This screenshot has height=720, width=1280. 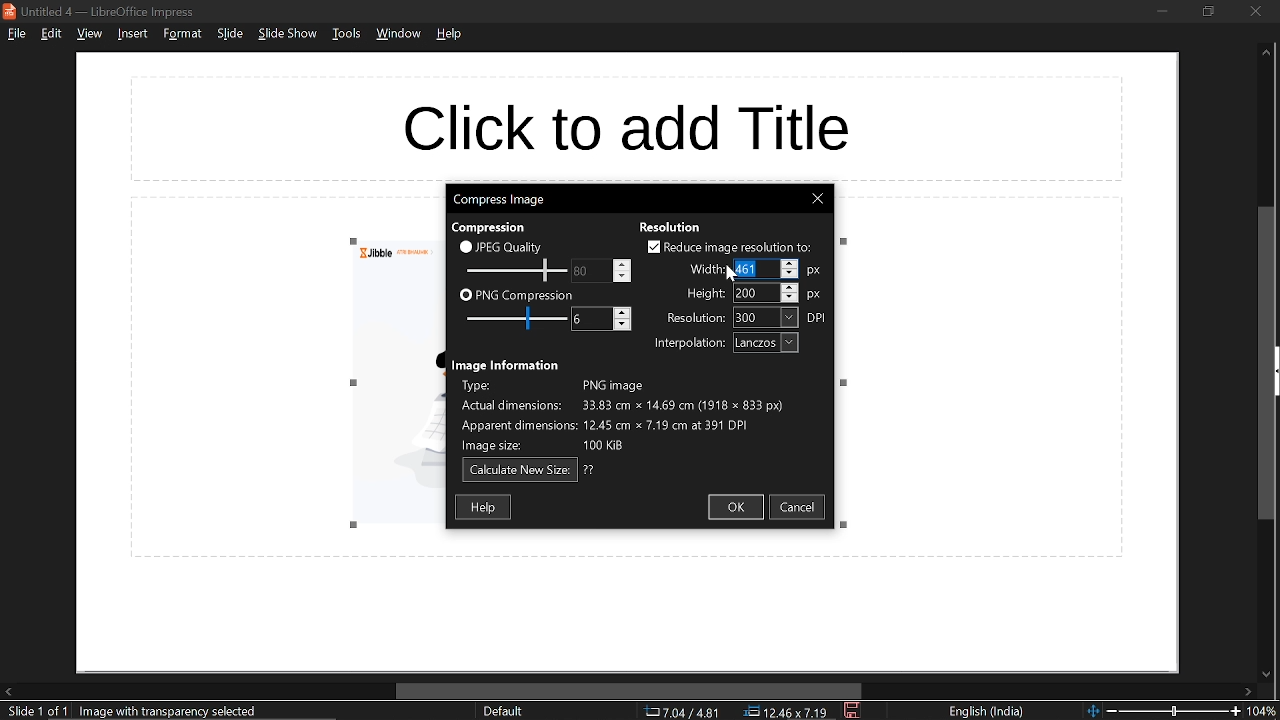 What do you see at coordinates (623, 312) in the screenshot?
I see `Increase ` at bounding box center [623, 312].